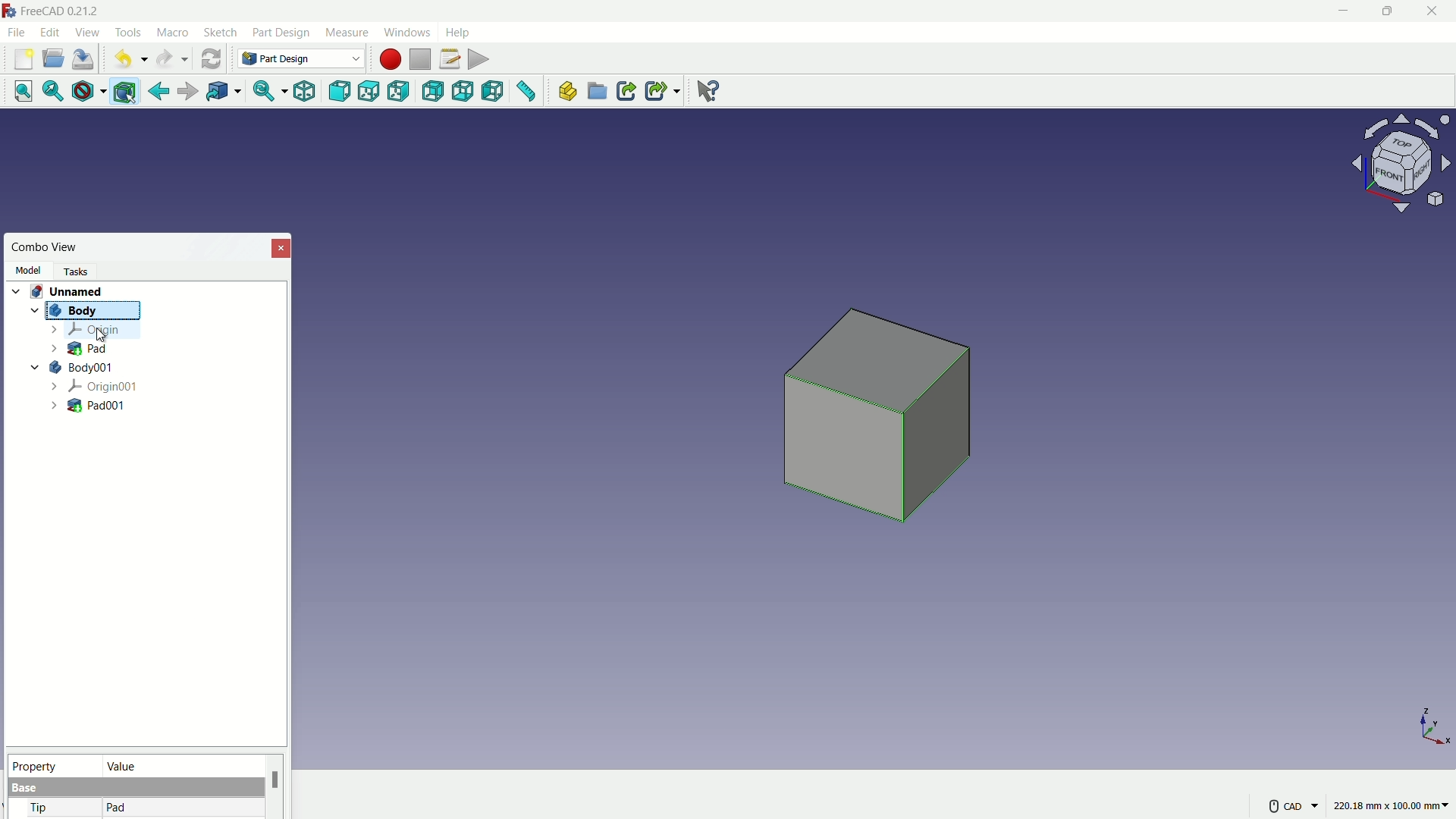 The width and height of the screenshot is (1456, 819). What do you see at coordinates (127, 60) in the screenshot?
I see `undo` at bounding box center [127, 60].